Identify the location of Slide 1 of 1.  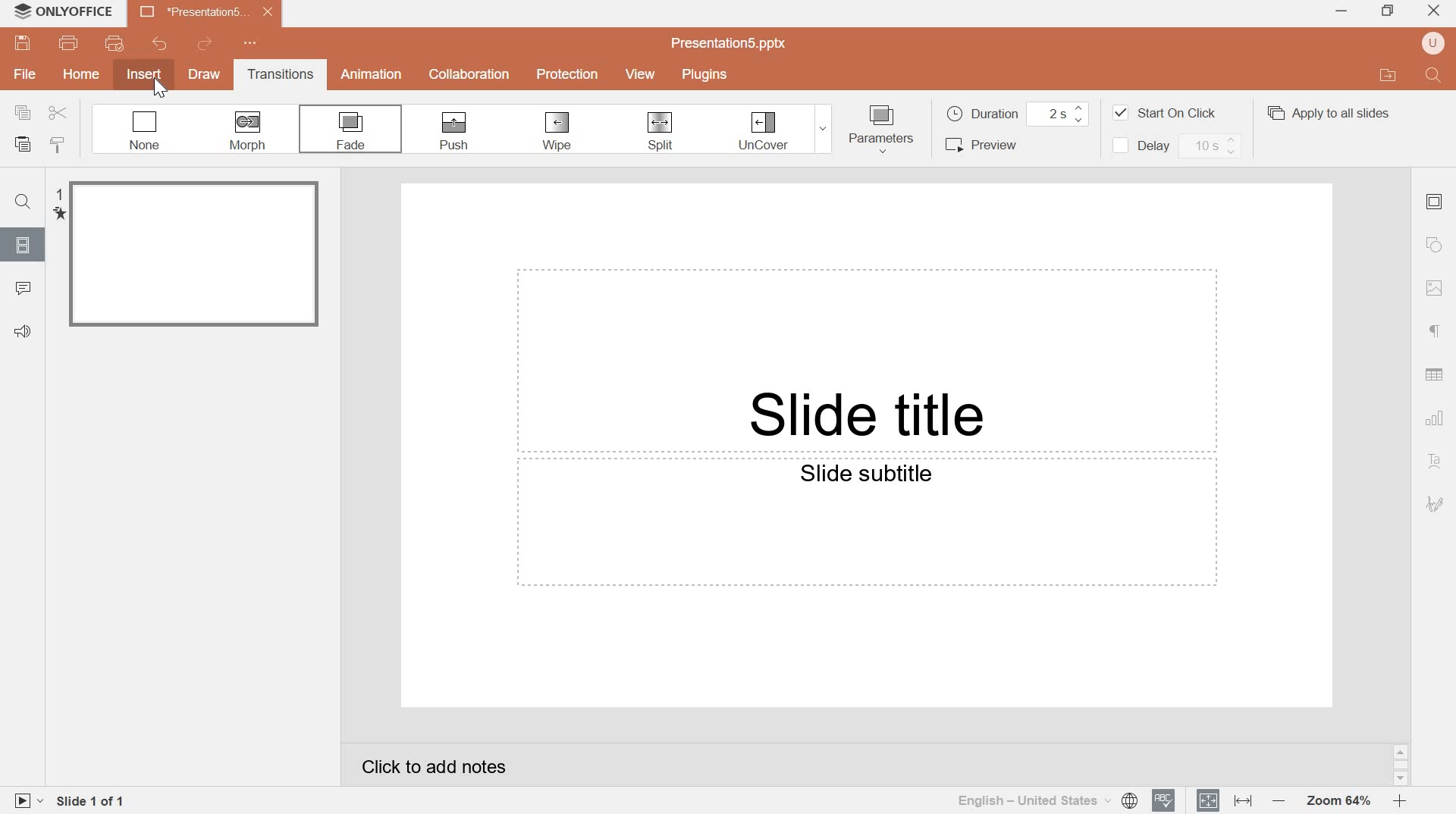
(93, 803).